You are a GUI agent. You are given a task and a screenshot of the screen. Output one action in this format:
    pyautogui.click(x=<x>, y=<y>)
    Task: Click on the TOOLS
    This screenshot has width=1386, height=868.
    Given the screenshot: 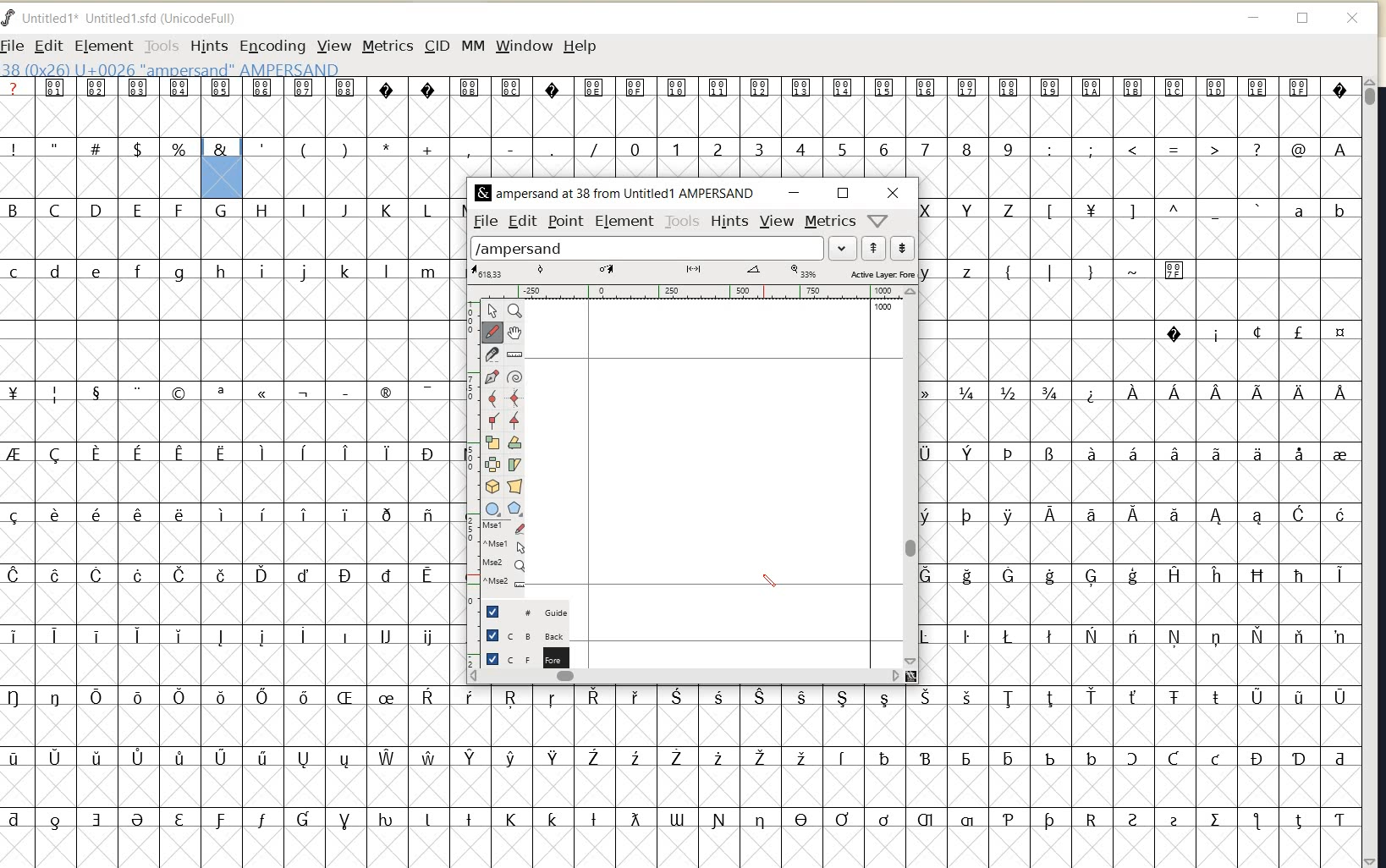 What is the action you would take?
    pyautogui.click(x=160, y=47)
    